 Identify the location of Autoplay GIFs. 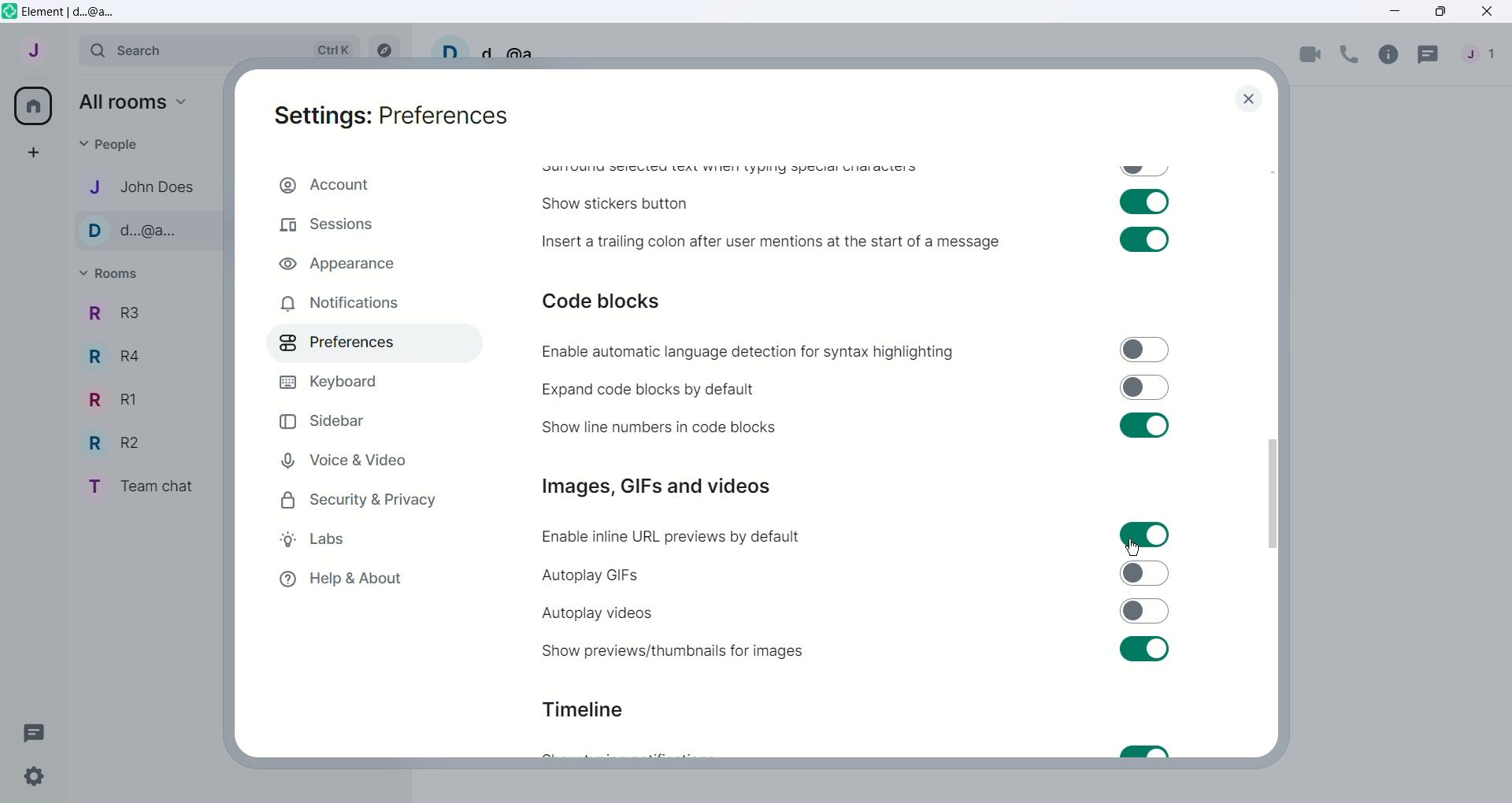
(591, 575).